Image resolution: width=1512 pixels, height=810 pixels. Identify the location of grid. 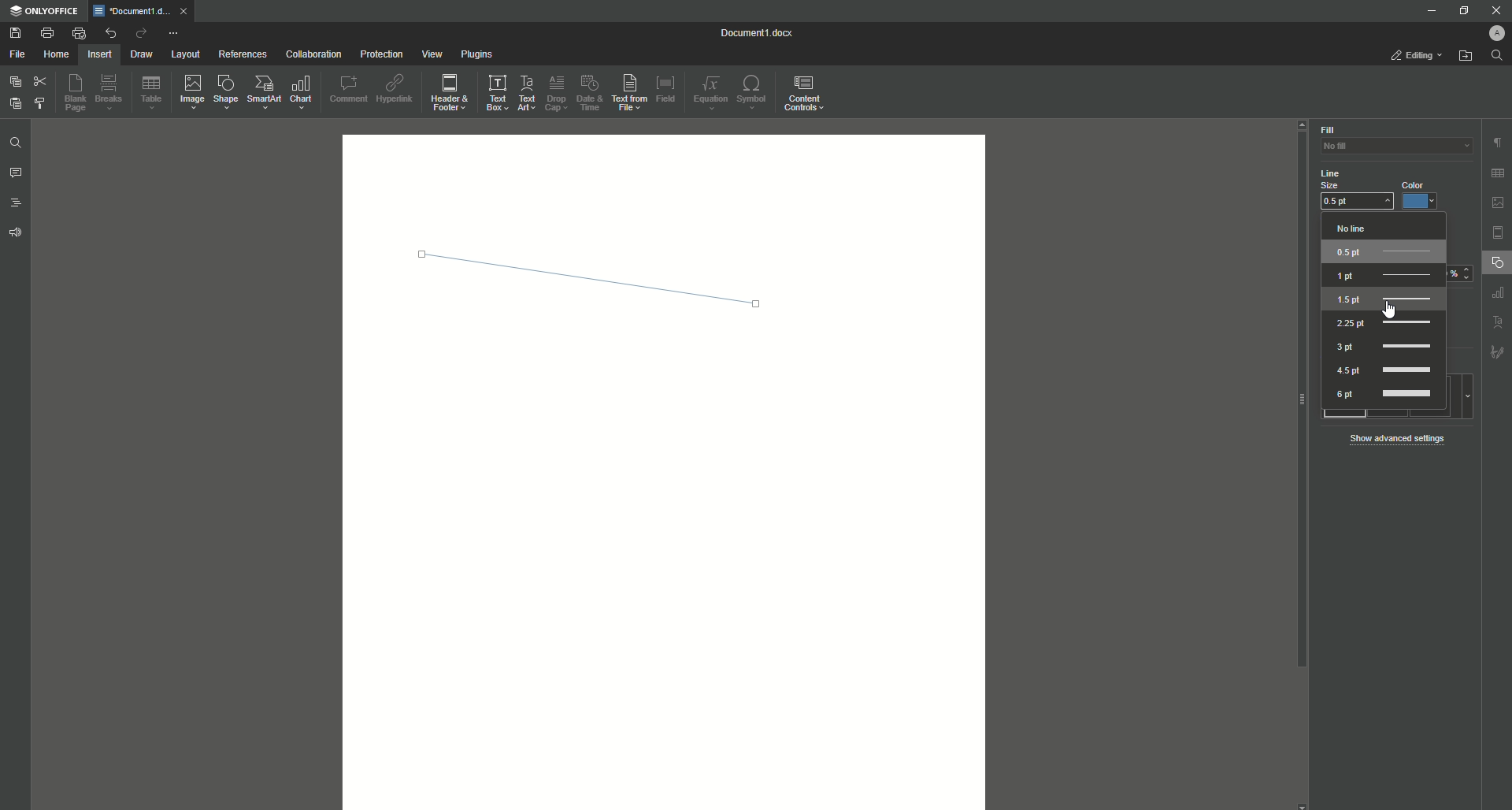
(1496, 170).